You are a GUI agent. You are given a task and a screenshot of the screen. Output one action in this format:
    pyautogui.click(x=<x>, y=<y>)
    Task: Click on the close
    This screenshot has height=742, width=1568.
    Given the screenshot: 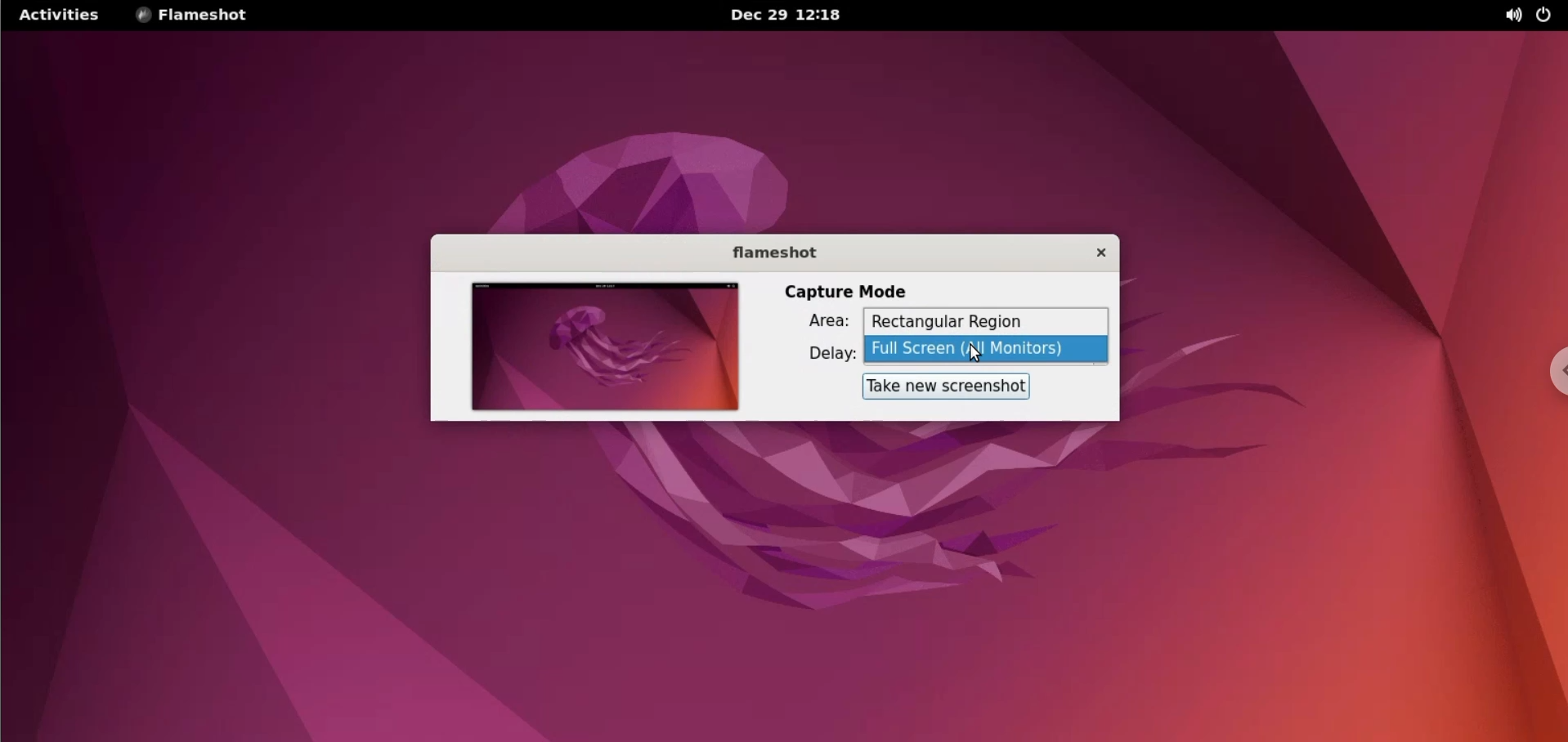 What is the action you would take?
    pyautogui.click(x=1096, y=253)
    